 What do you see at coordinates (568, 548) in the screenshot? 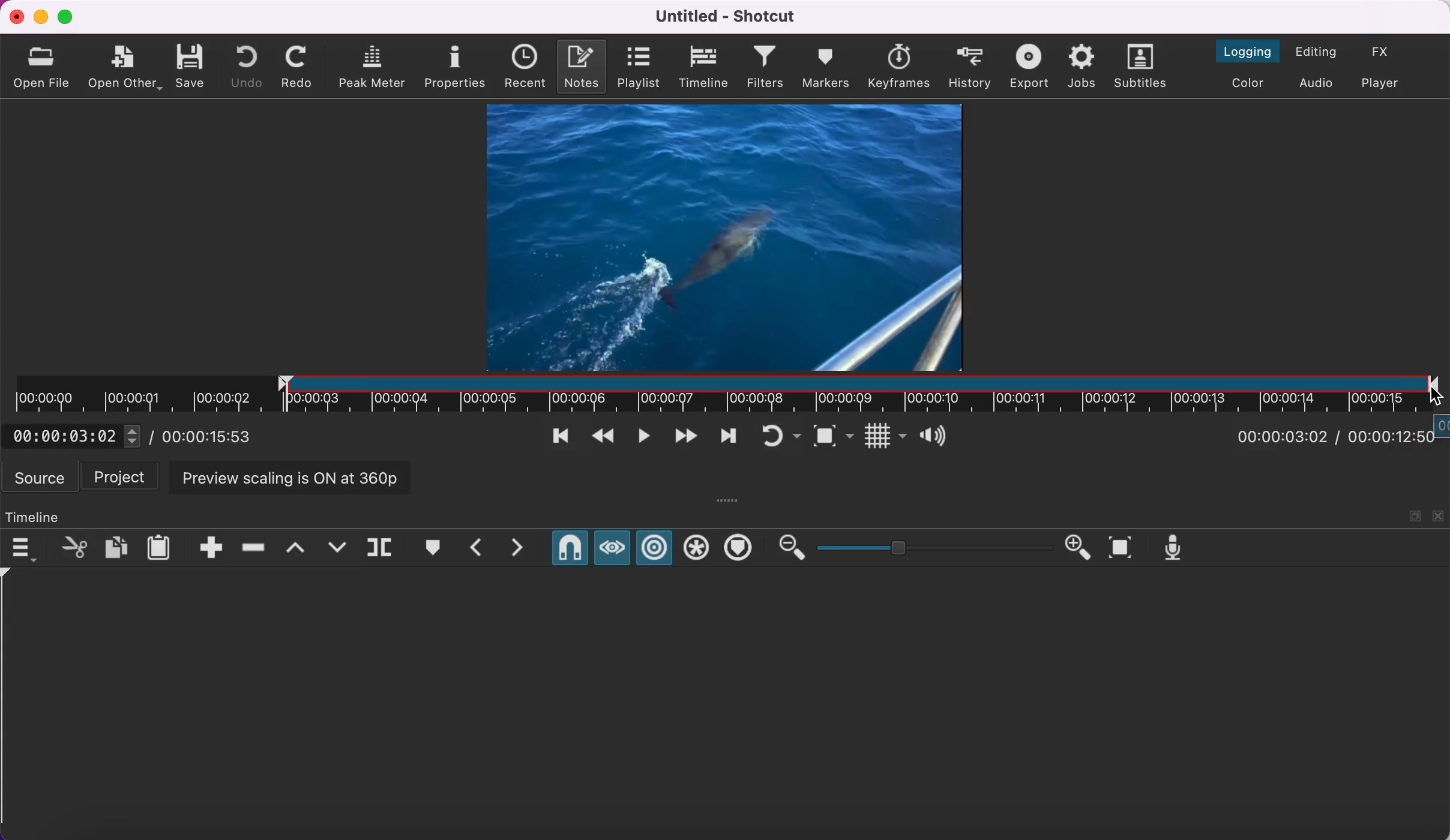
I see `snap` at bounding box center [568, 548].